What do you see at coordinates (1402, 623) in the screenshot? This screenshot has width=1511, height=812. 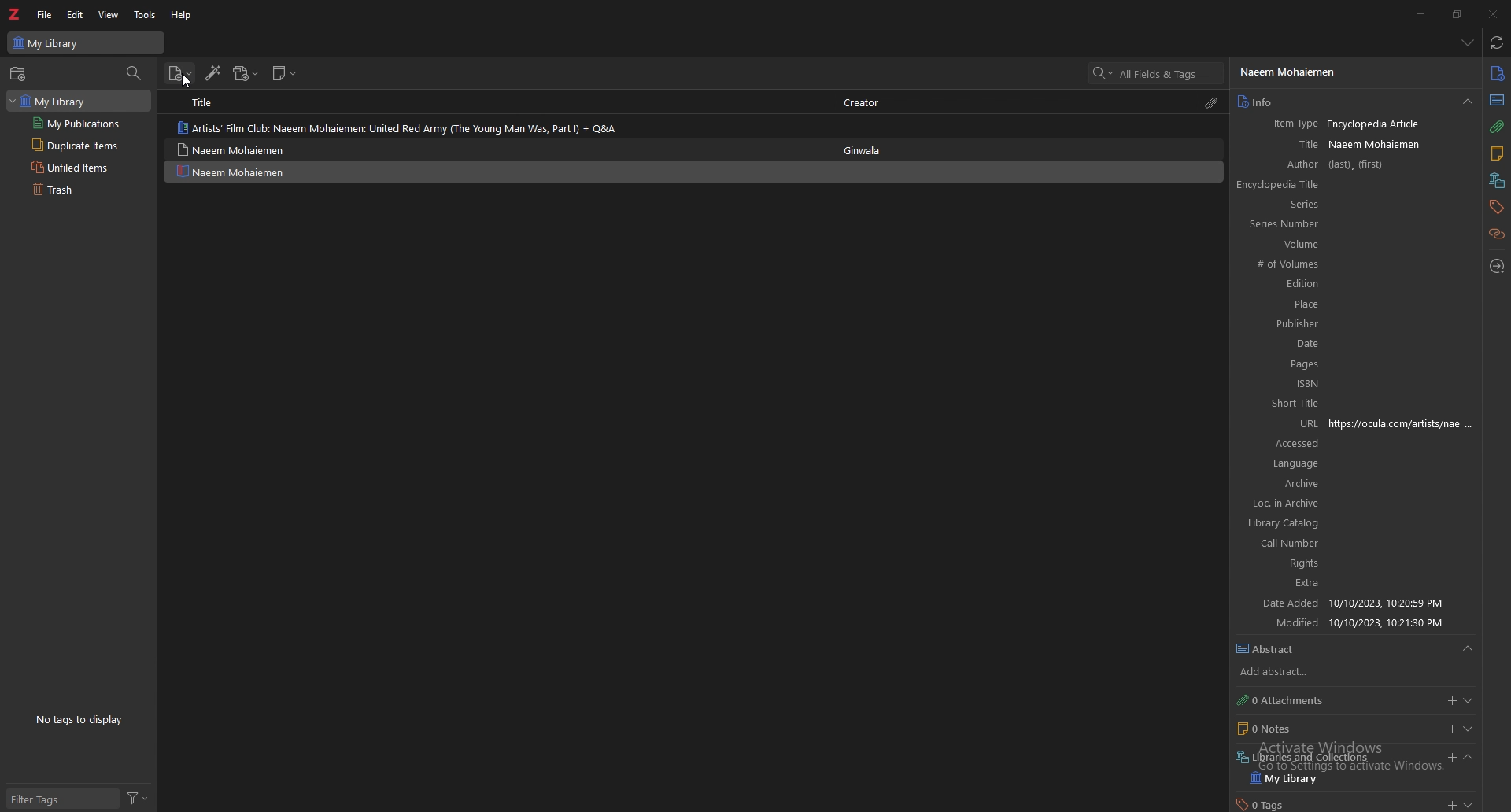 I see `modified input` at bounding box center [1402, 623].